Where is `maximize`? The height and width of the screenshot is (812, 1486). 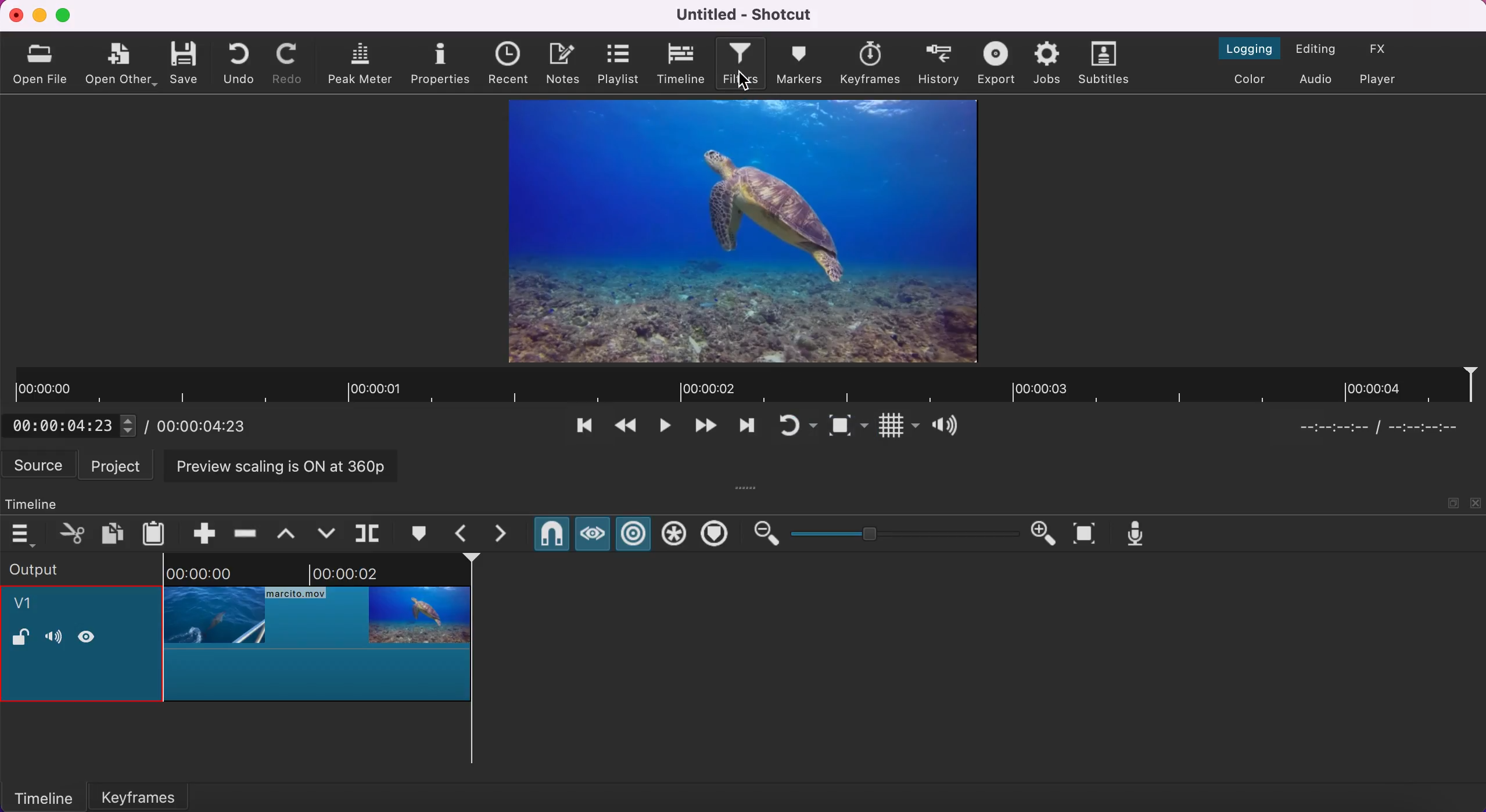 maximize is located at coordinates (1455, 504).